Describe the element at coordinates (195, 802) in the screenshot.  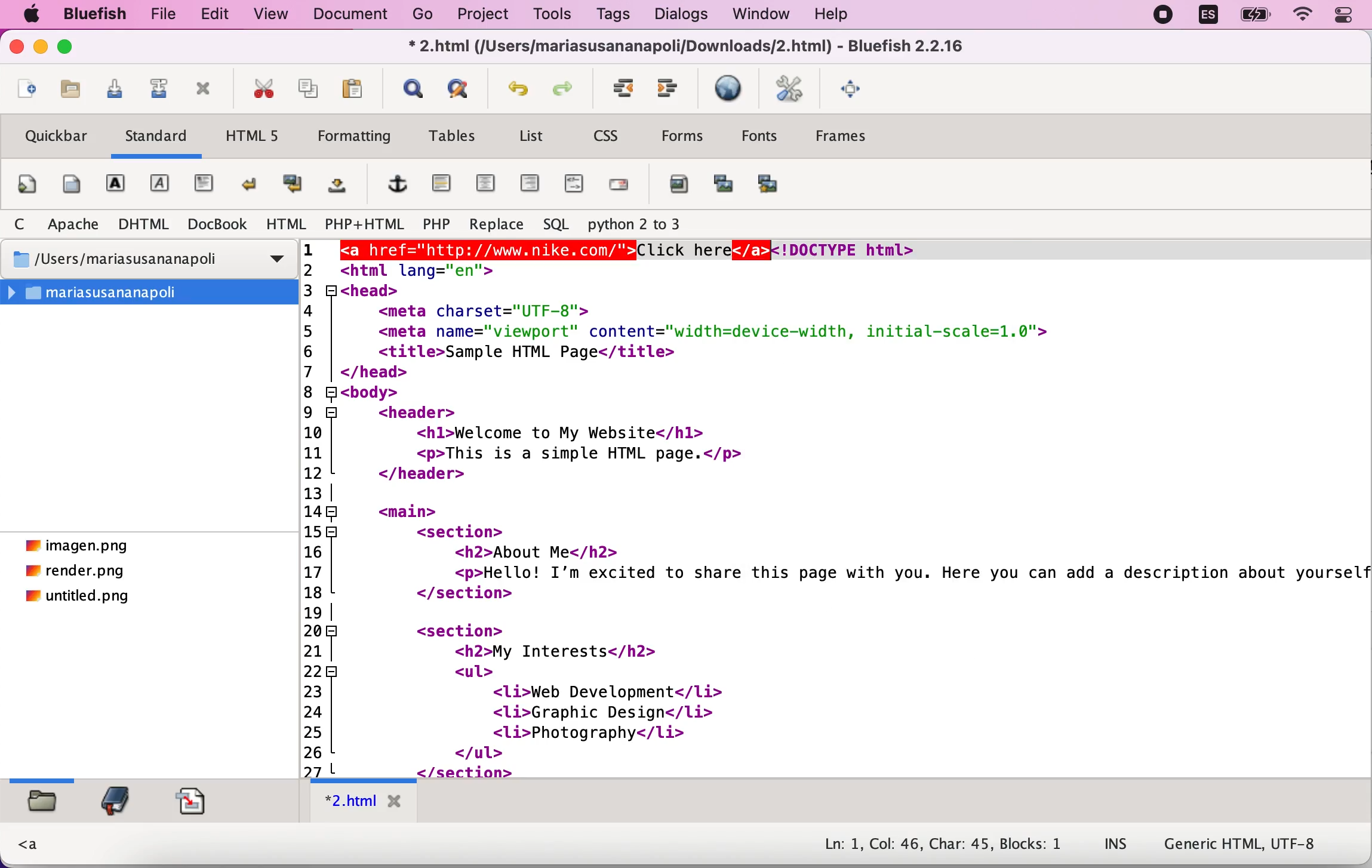
I see `snippets` at that location.